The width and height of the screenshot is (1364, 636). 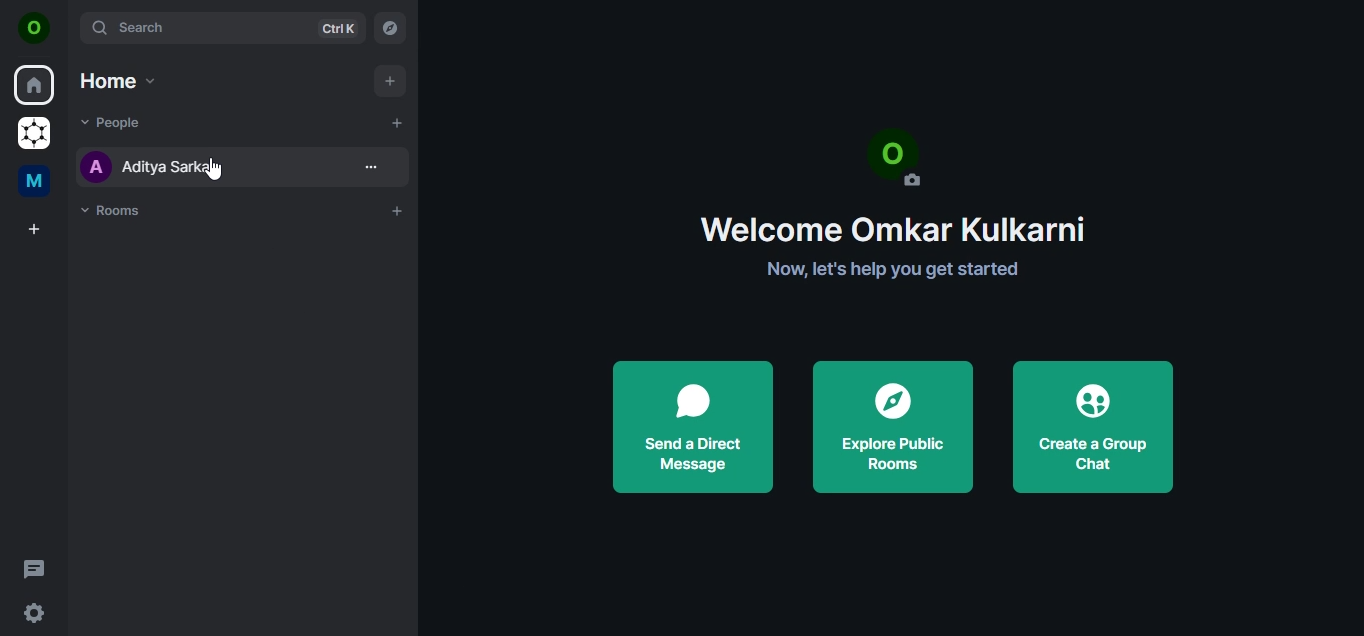 I want to click on add room, so click(x=396, y=211).